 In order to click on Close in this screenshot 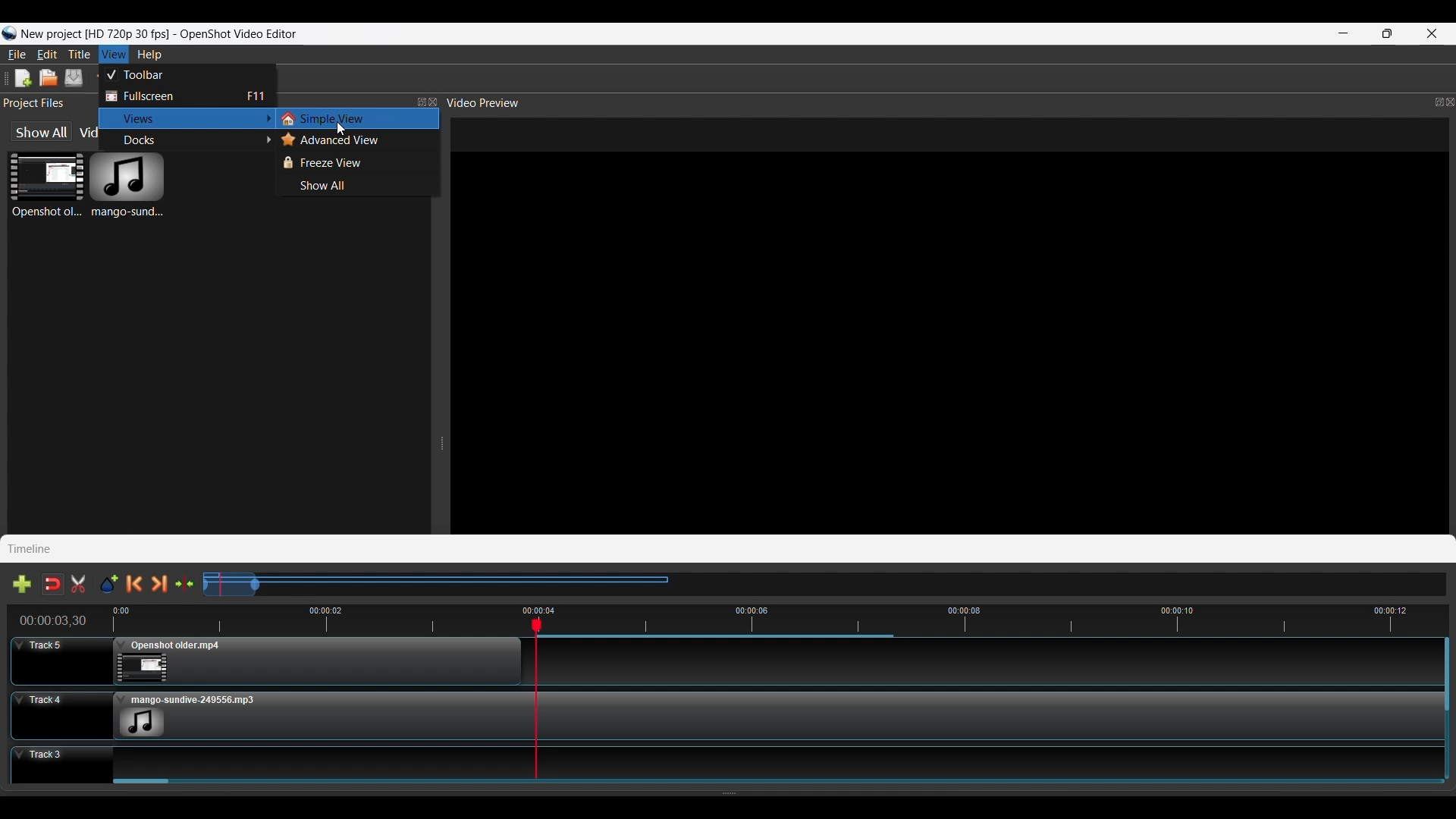, I will do `click(432, 102)`.